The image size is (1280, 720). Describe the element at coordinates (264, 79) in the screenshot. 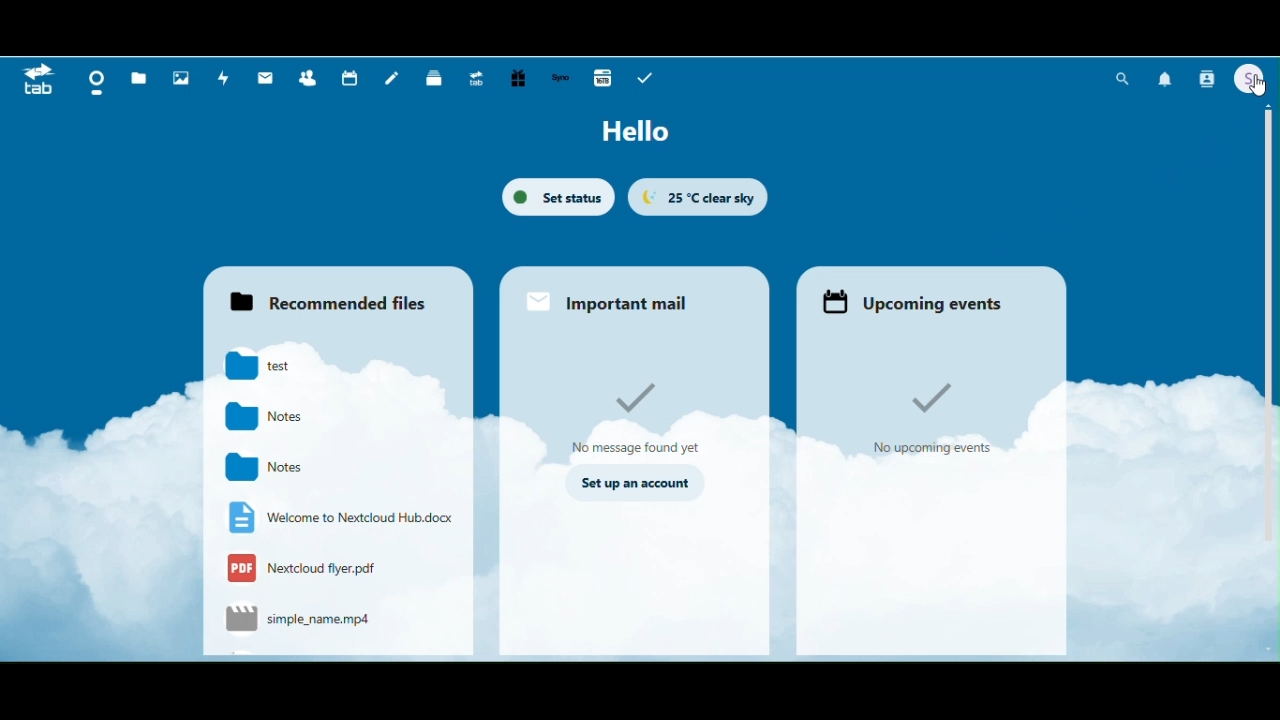

I see `Mail` at that location.